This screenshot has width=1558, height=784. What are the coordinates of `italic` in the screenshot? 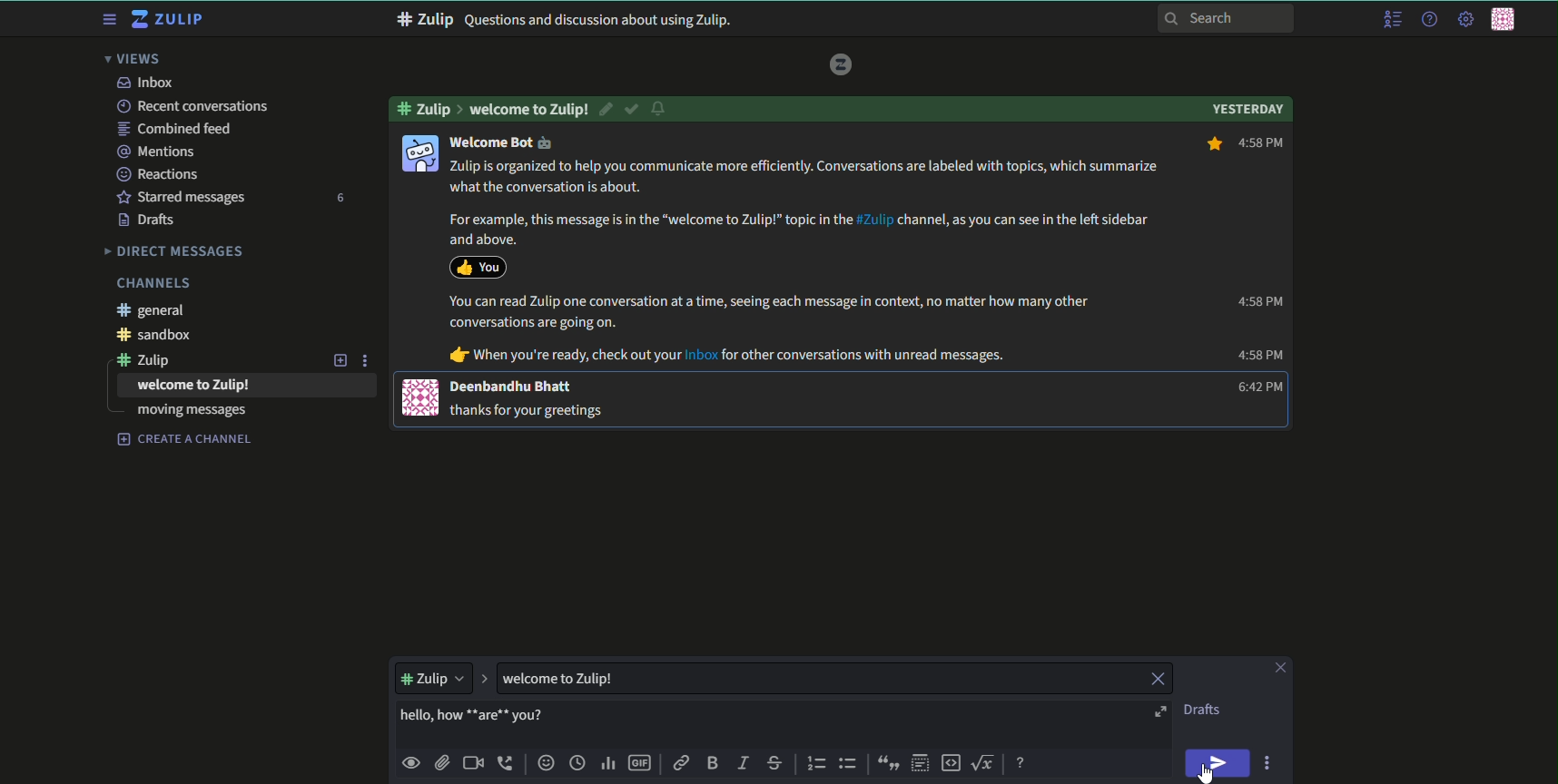 It's located at (748, 764).